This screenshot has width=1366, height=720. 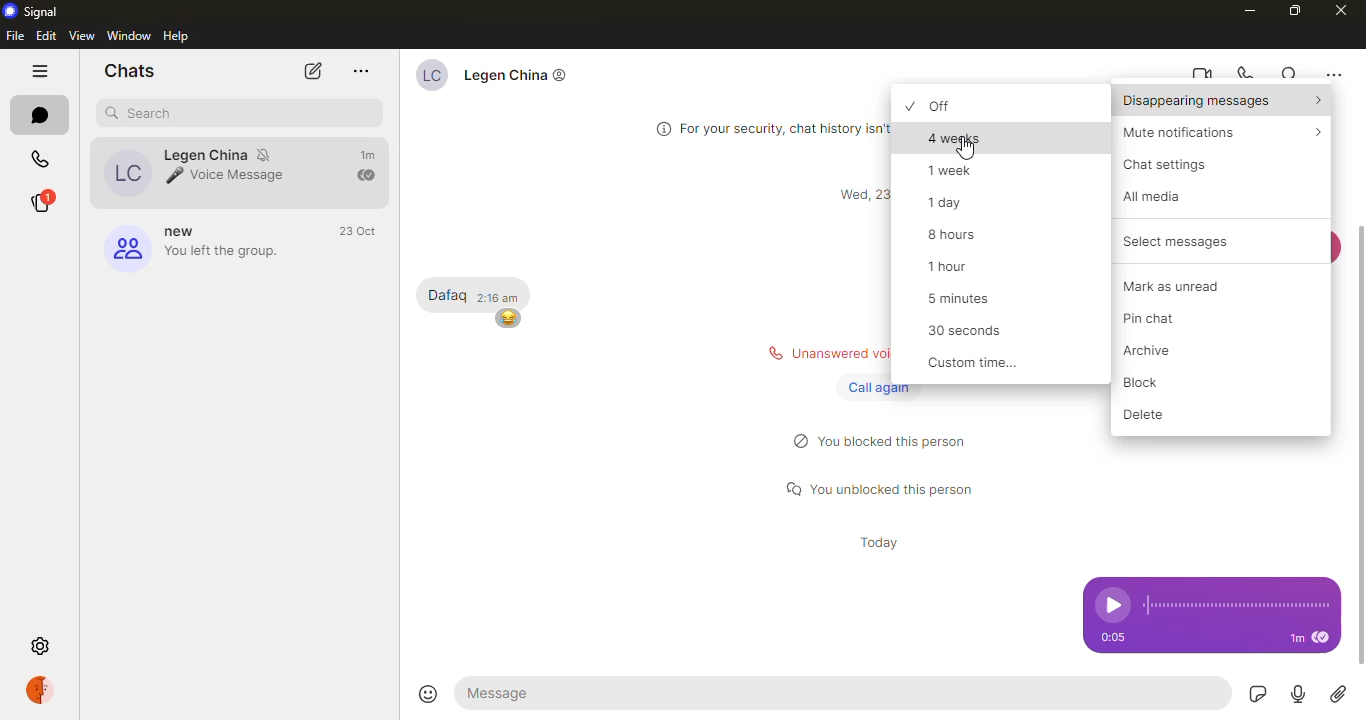 What do you see at coordinates (1160, 351) in the screenshot?
I see `archive` at bounding box center [1160, 351].